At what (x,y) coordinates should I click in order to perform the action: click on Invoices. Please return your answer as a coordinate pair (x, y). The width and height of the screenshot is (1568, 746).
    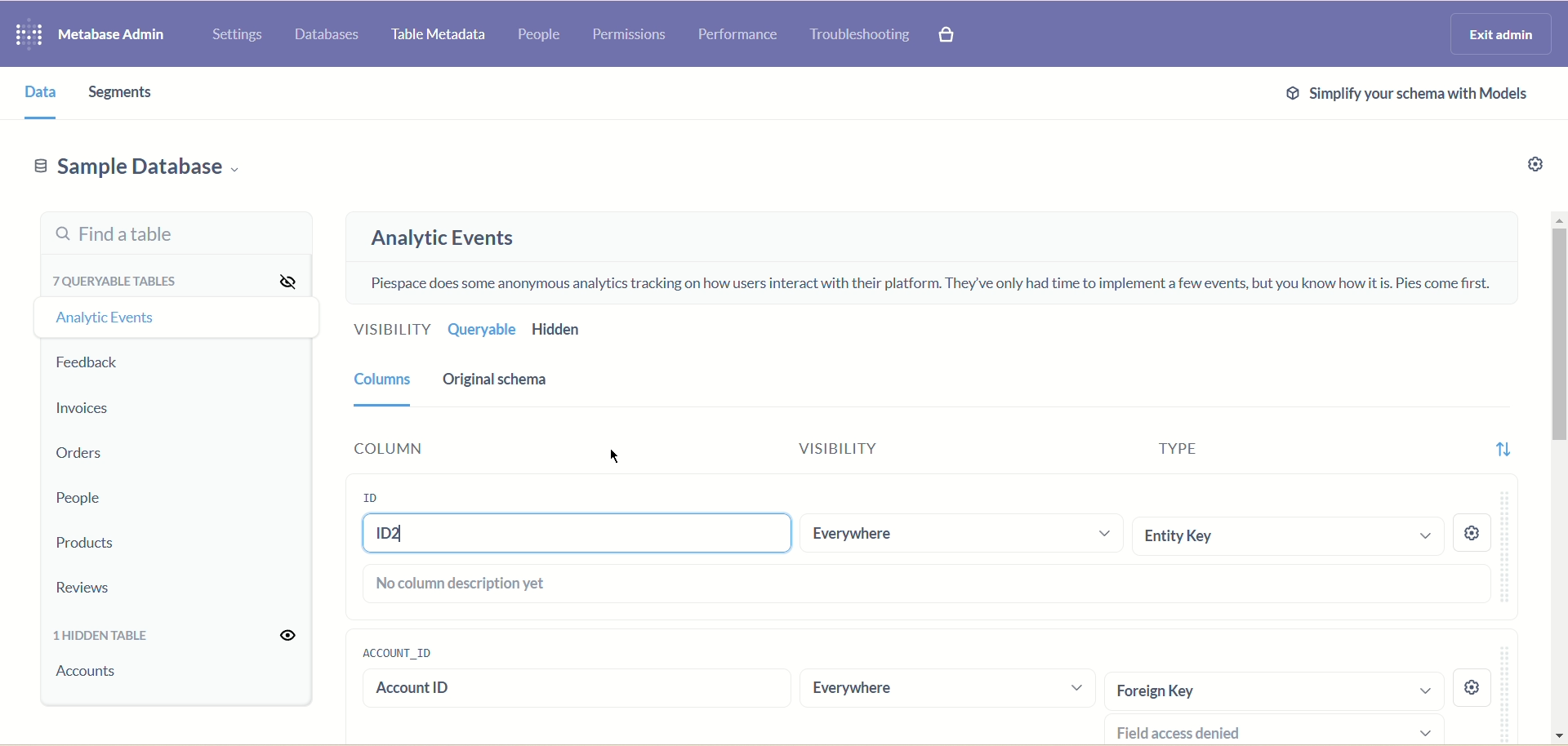
    Looking at the image, I should click on (87, 406).